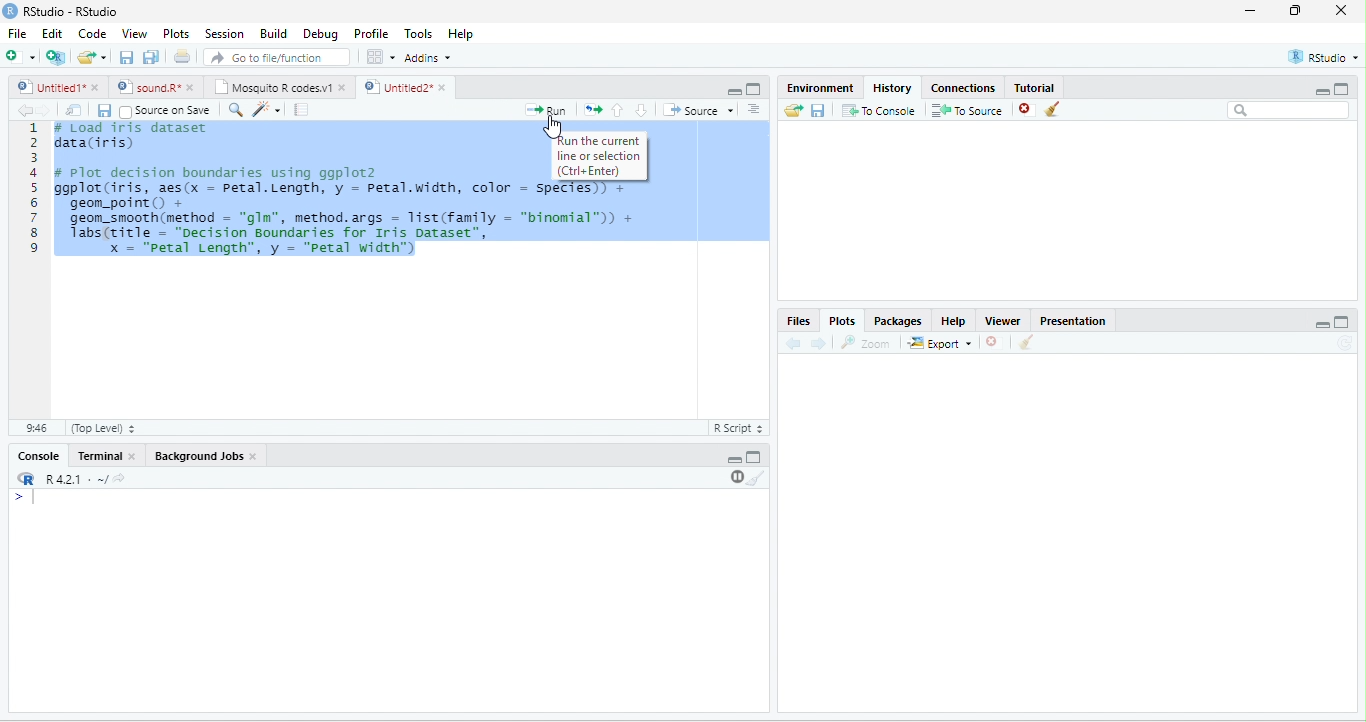 The height and width of the screenshot is (722, 1366). I want to click on Help, so click(954, 321).